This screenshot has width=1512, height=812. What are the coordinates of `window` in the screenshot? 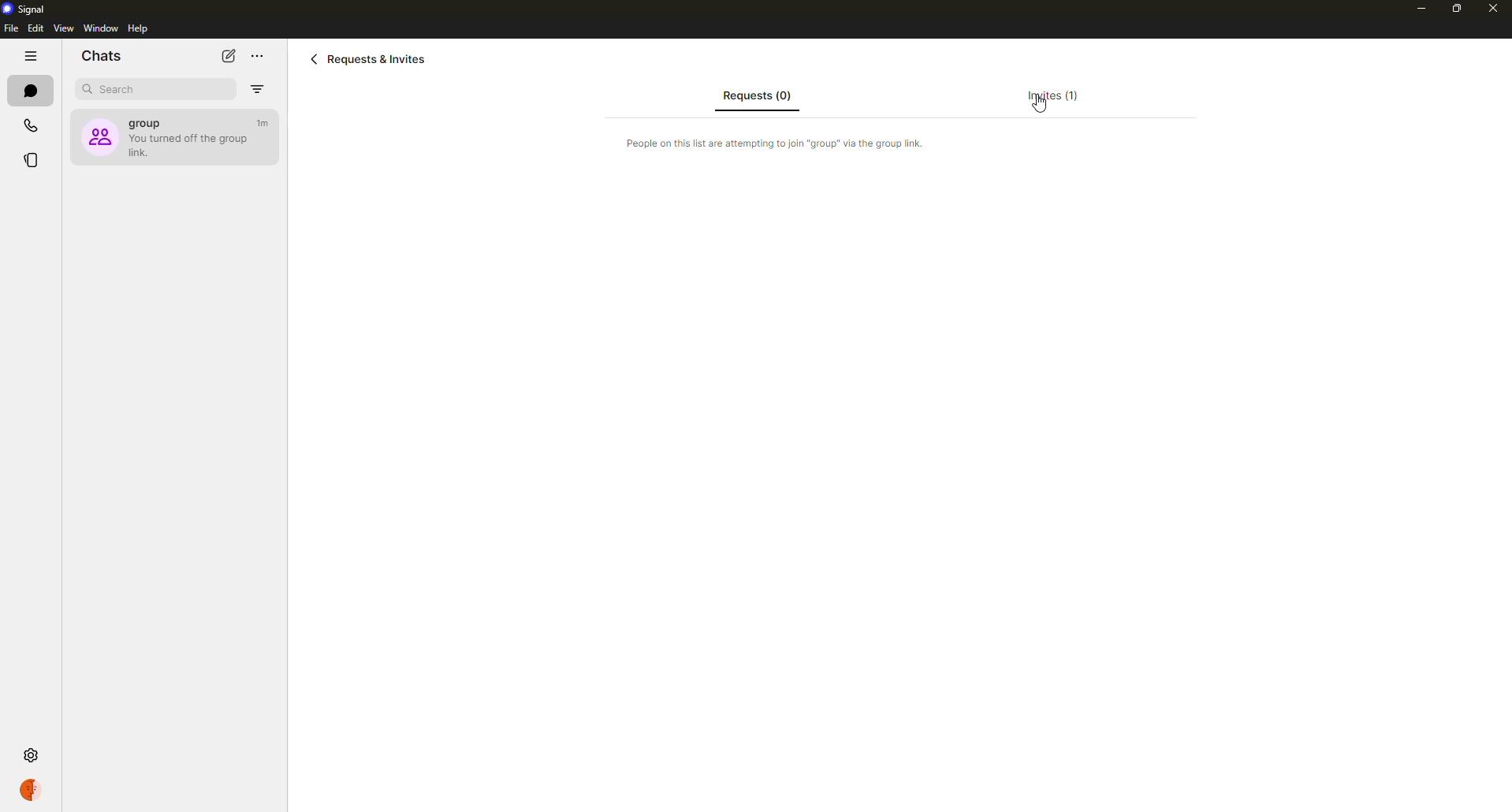 It's located at (101, 28).